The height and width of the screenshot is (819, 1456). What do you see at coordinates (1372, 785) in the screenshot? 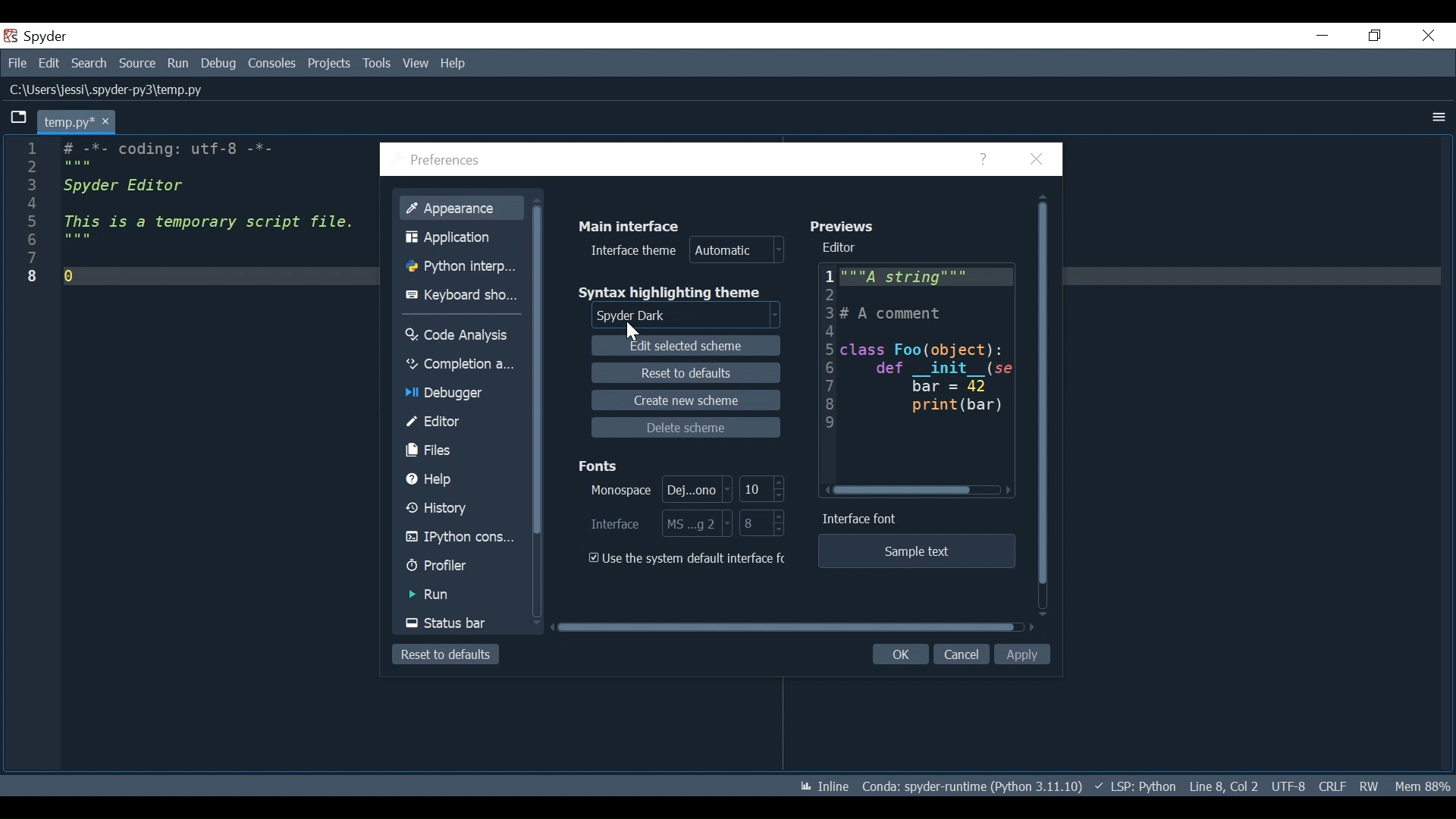
I see `File Permissions` at bounding box center [1372, 785].